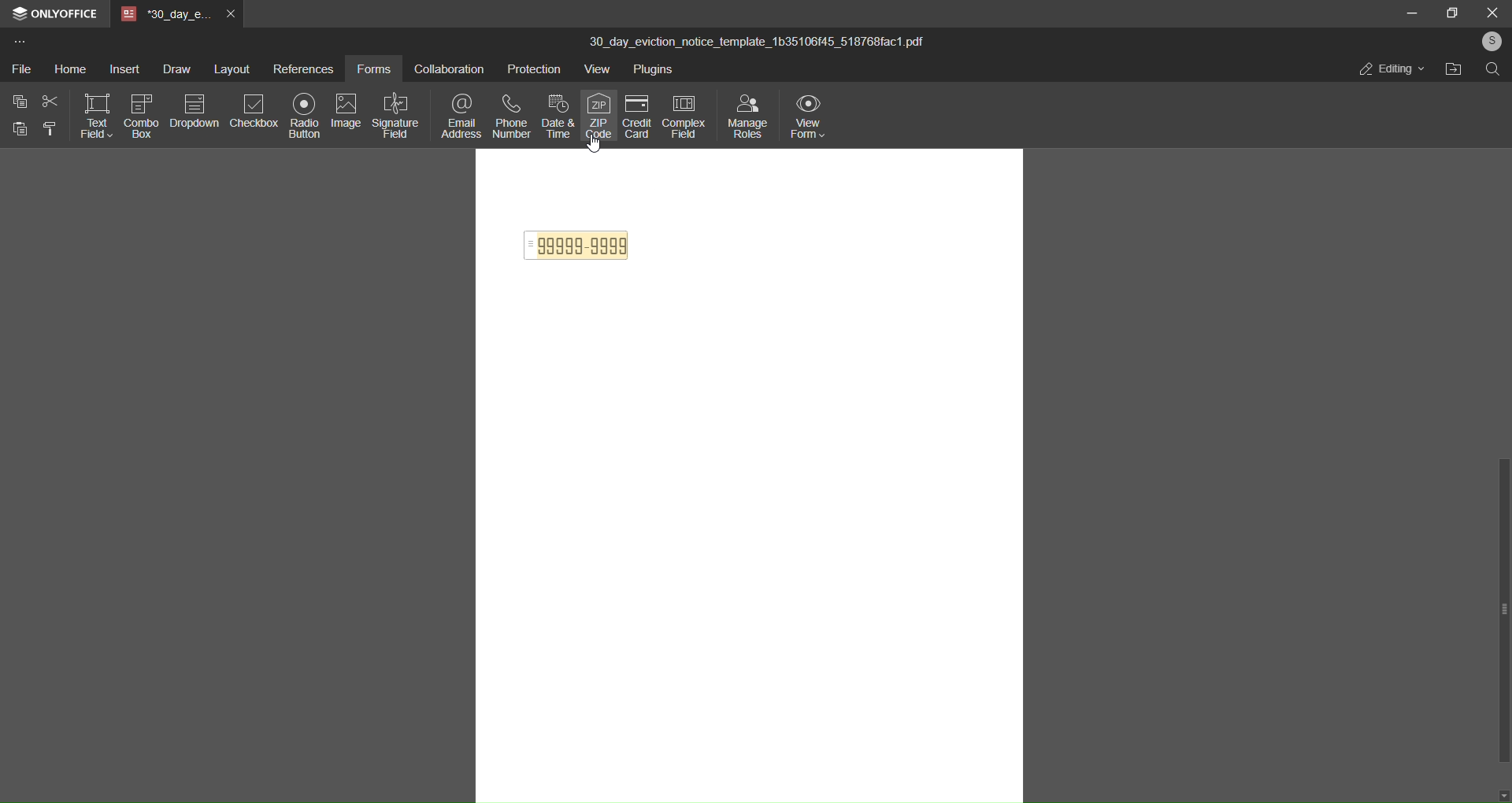 This screenshot has width=1512, height=803. Describe the element at coordinates (174, 68) in the screenshot. I see `draw` at that location.